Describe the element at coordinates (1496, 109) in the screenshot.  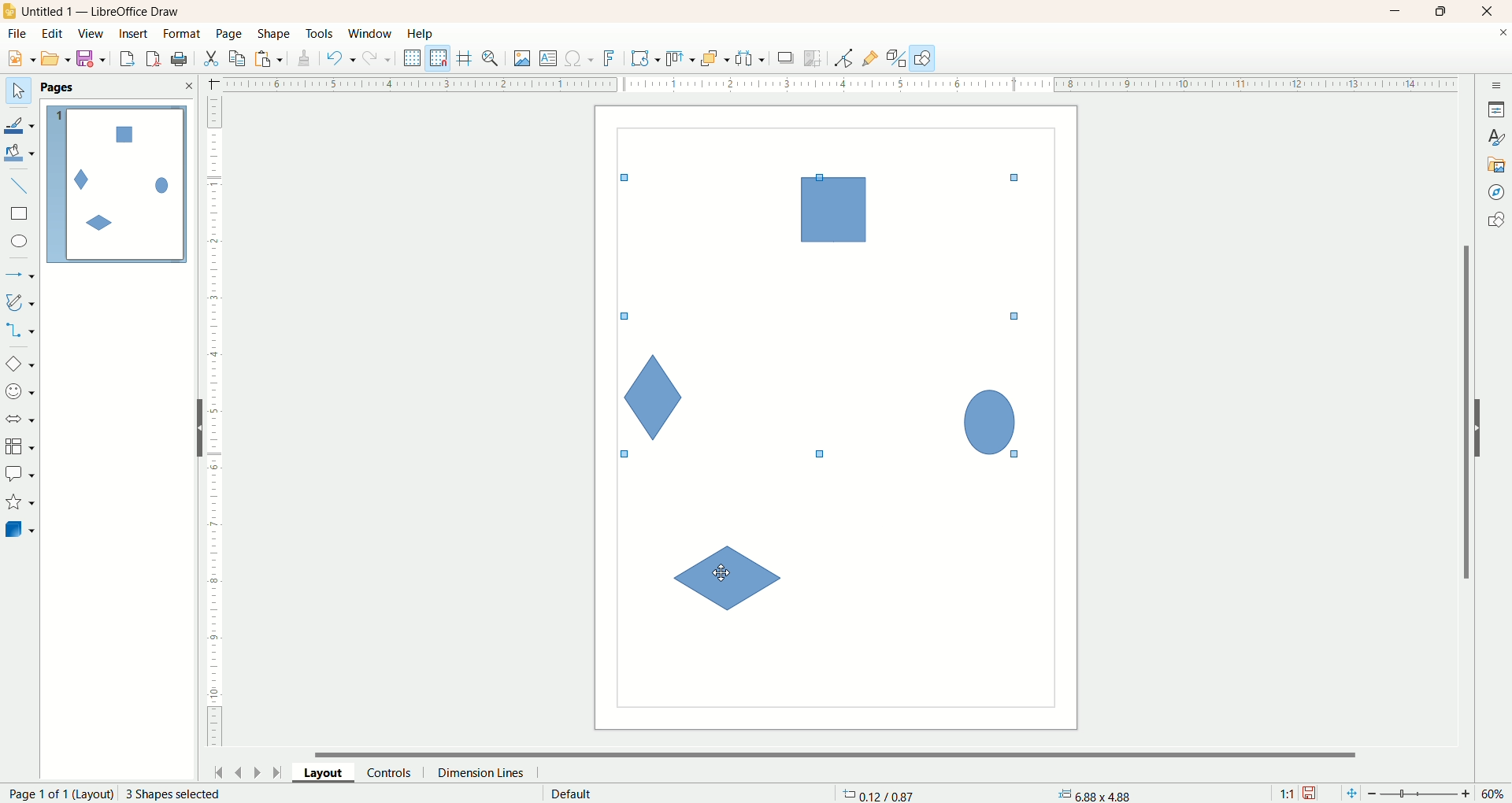
I see `properties` at that location.